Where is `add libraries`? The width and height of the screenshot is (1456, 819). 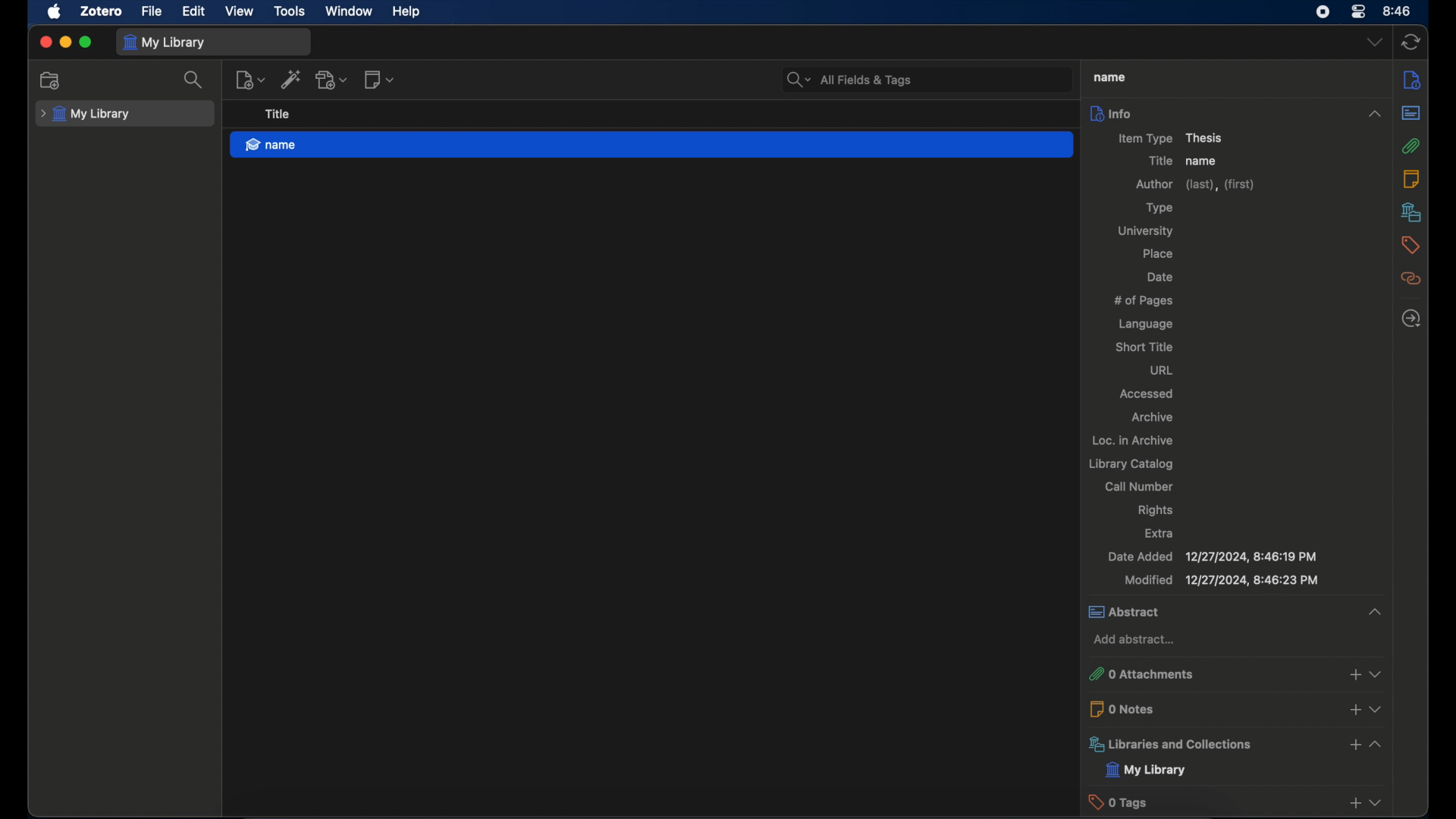 add libraries is located at coordinates (1353, 745).